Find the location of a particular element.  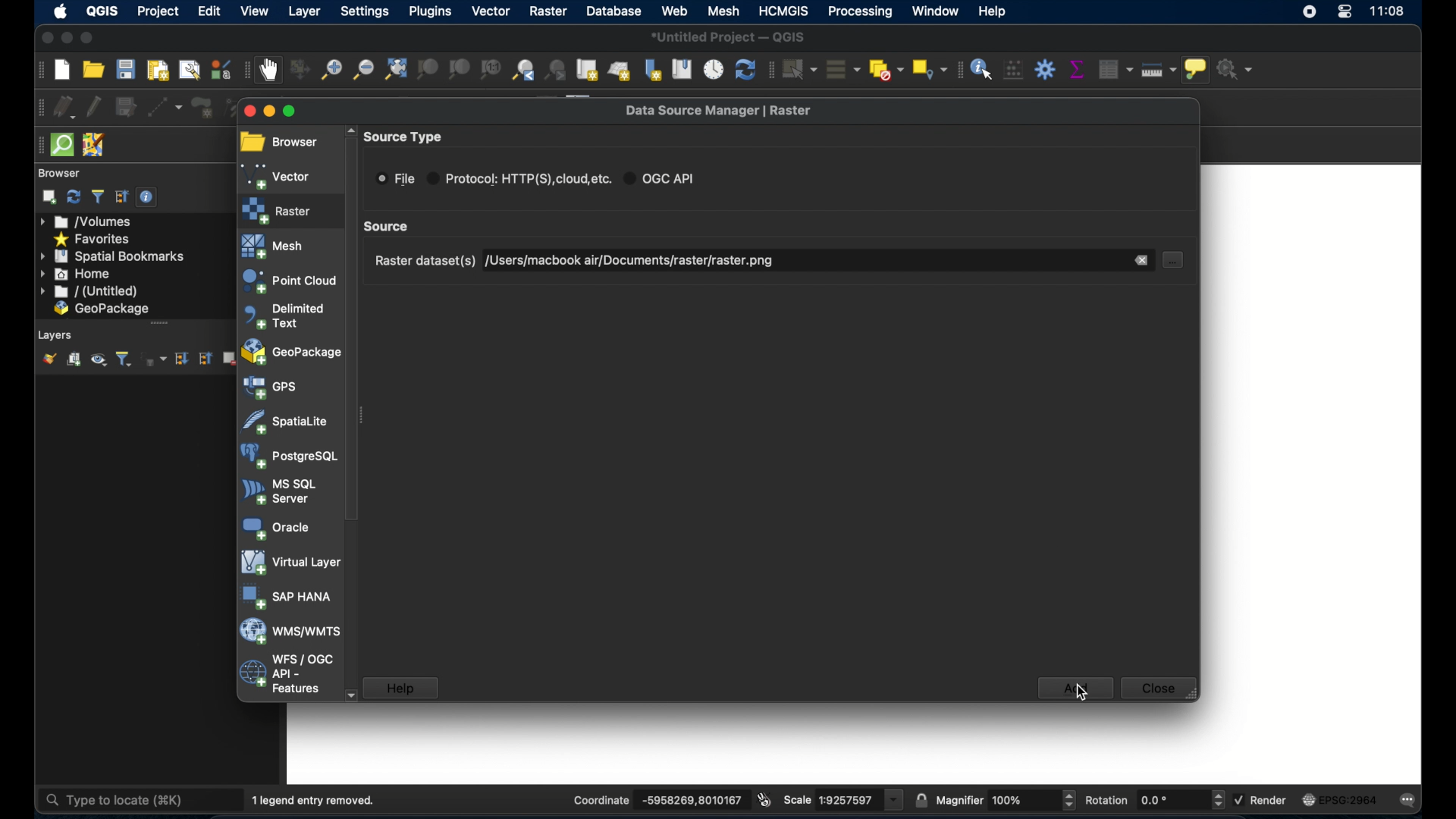

show layout manager is located at coordinates (187, 71).